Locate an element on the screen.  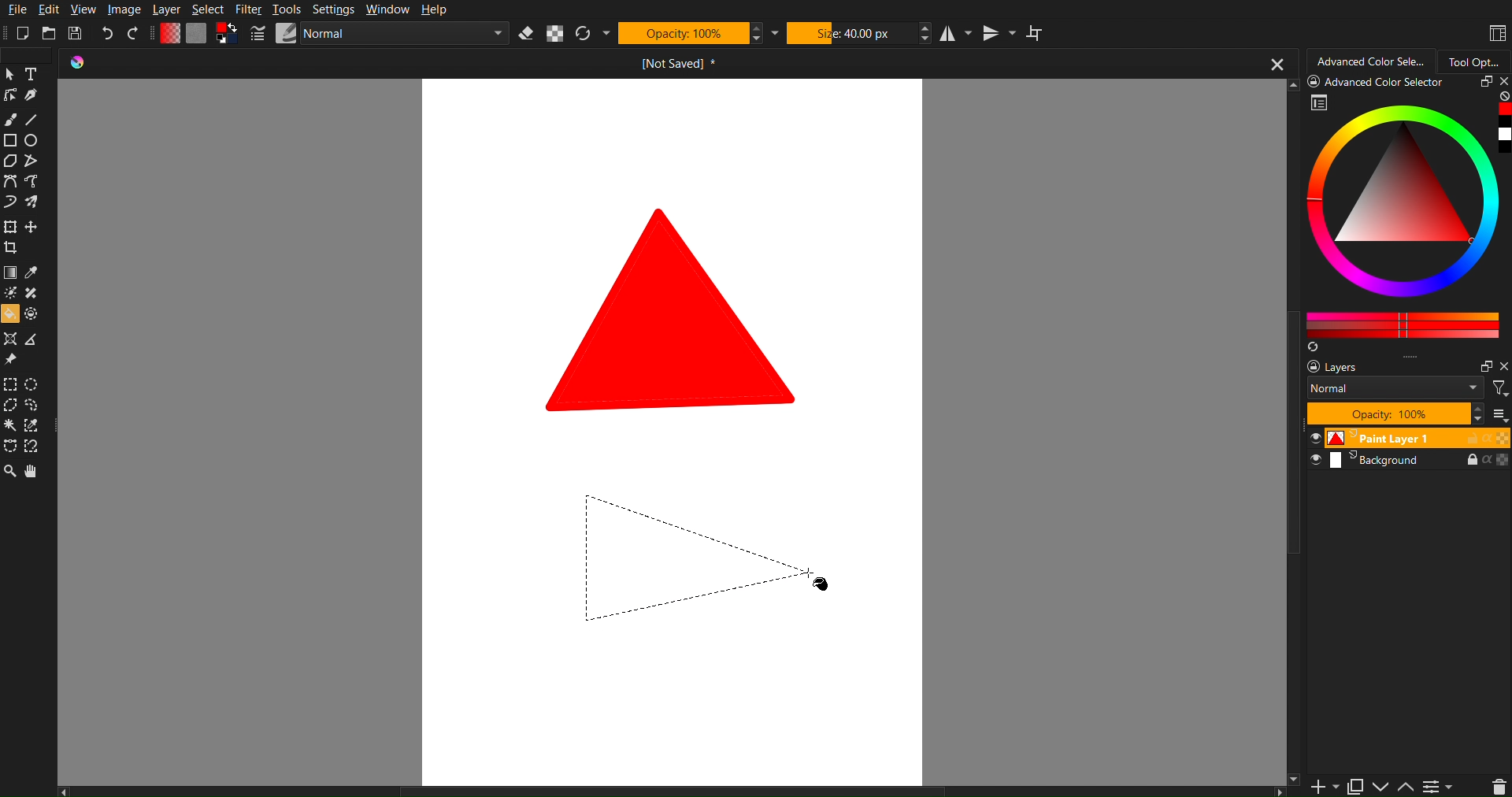
Cursor is located at coordinates (9, 407).